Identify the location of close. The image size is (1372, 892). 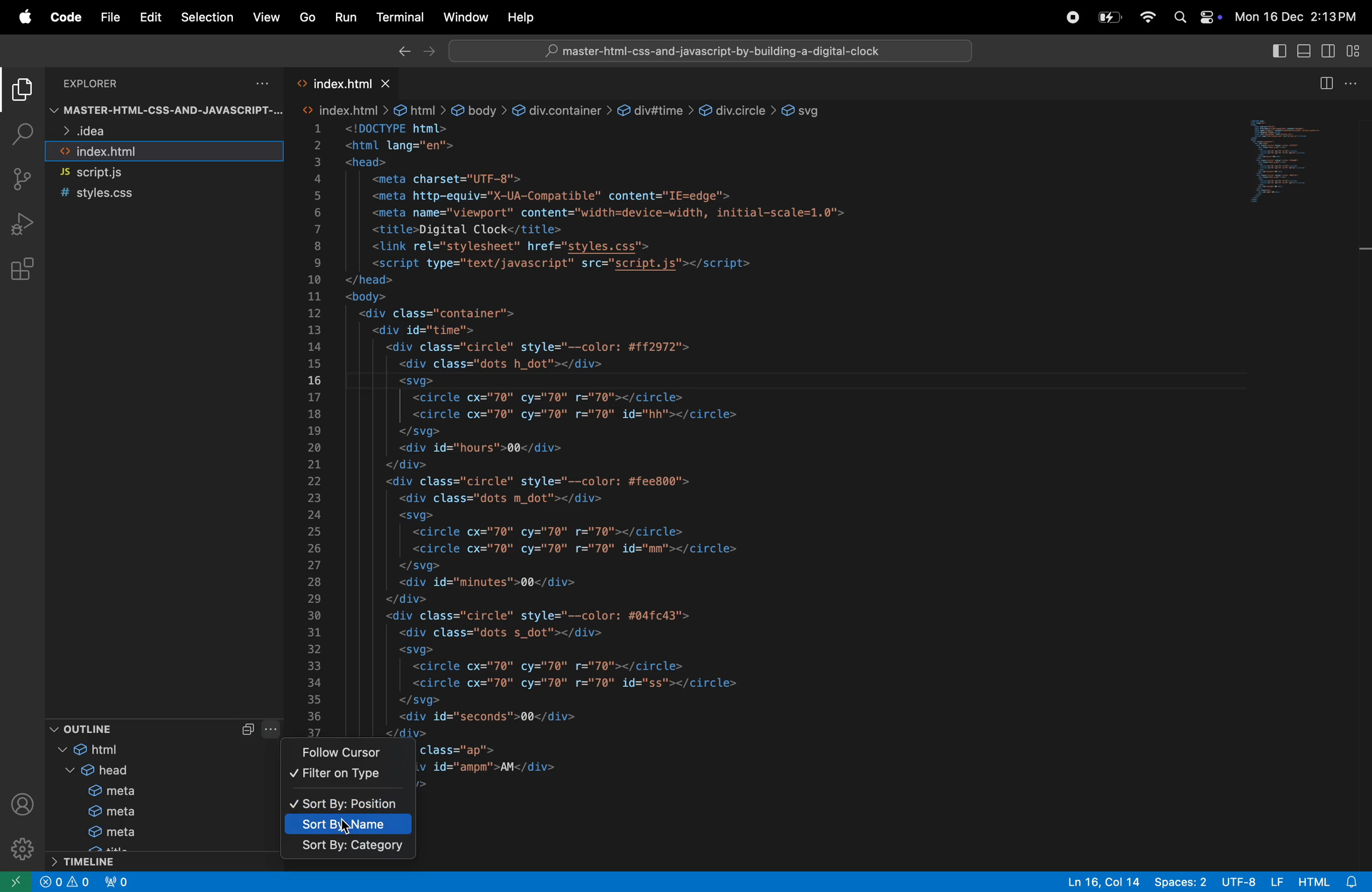
(50, 881).